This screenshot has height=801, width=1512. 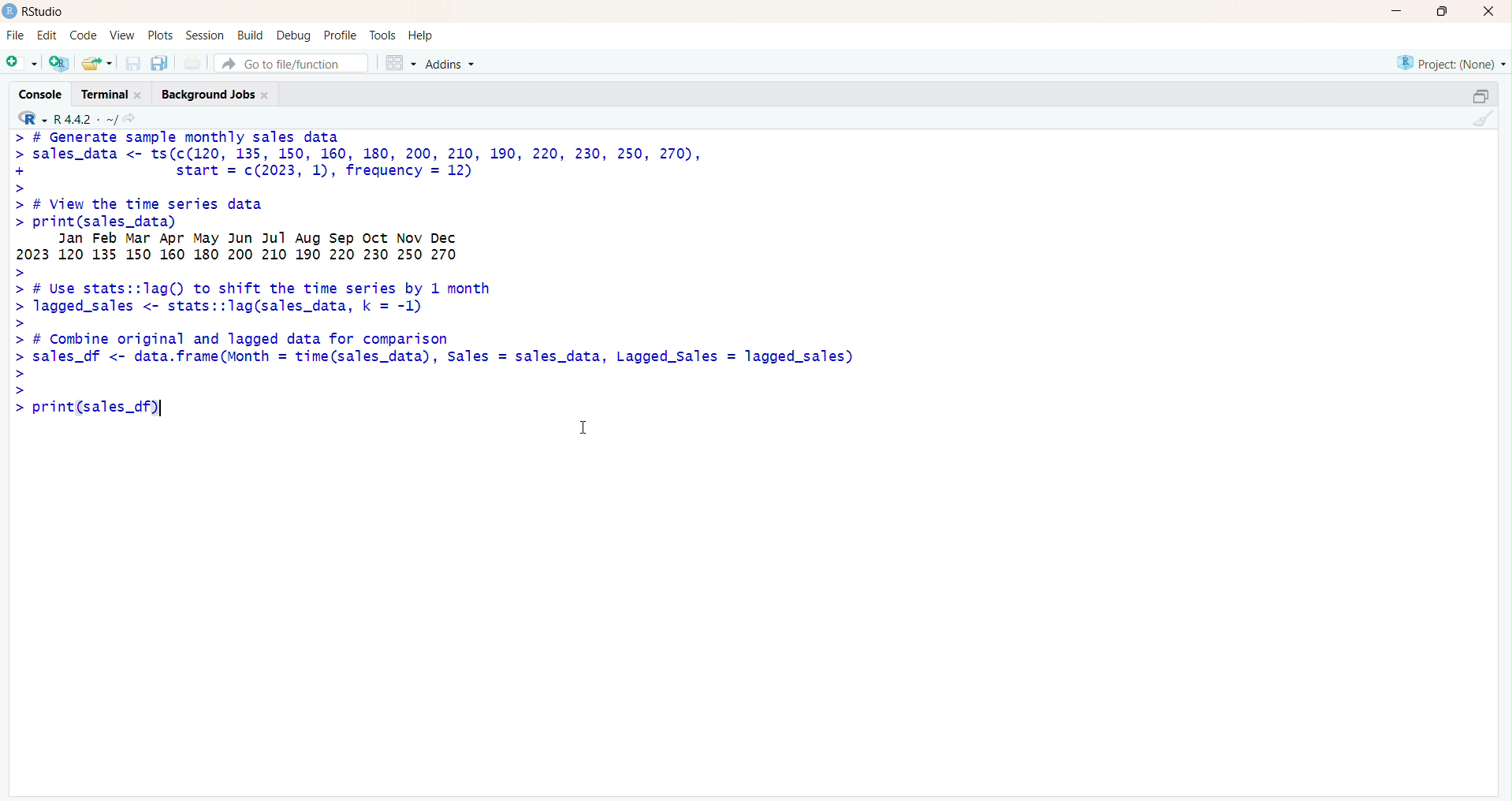 I want to click on cursor, so click(x=584, y=430).